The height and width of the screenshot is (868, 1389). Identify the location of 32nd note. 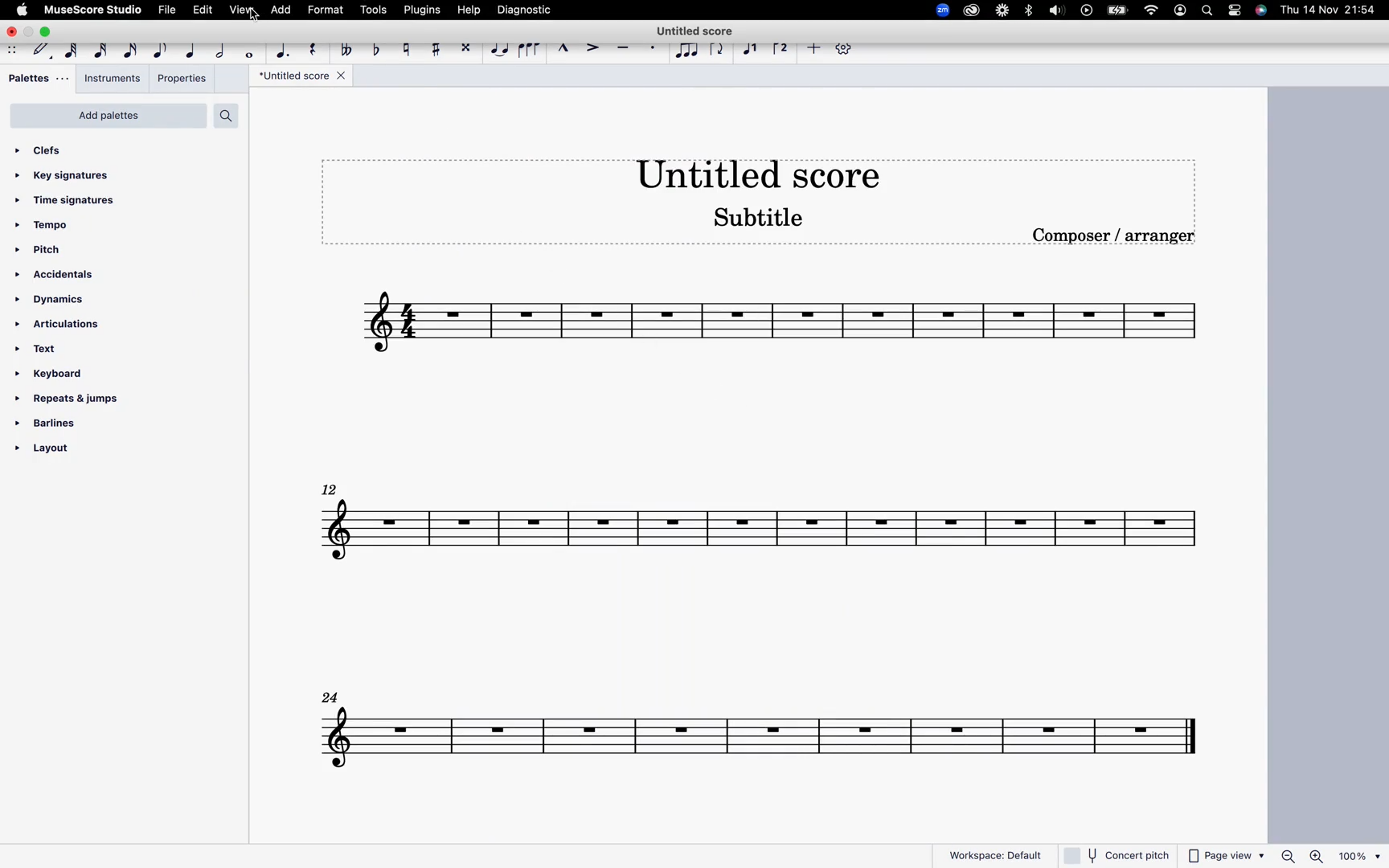
(99, 51).